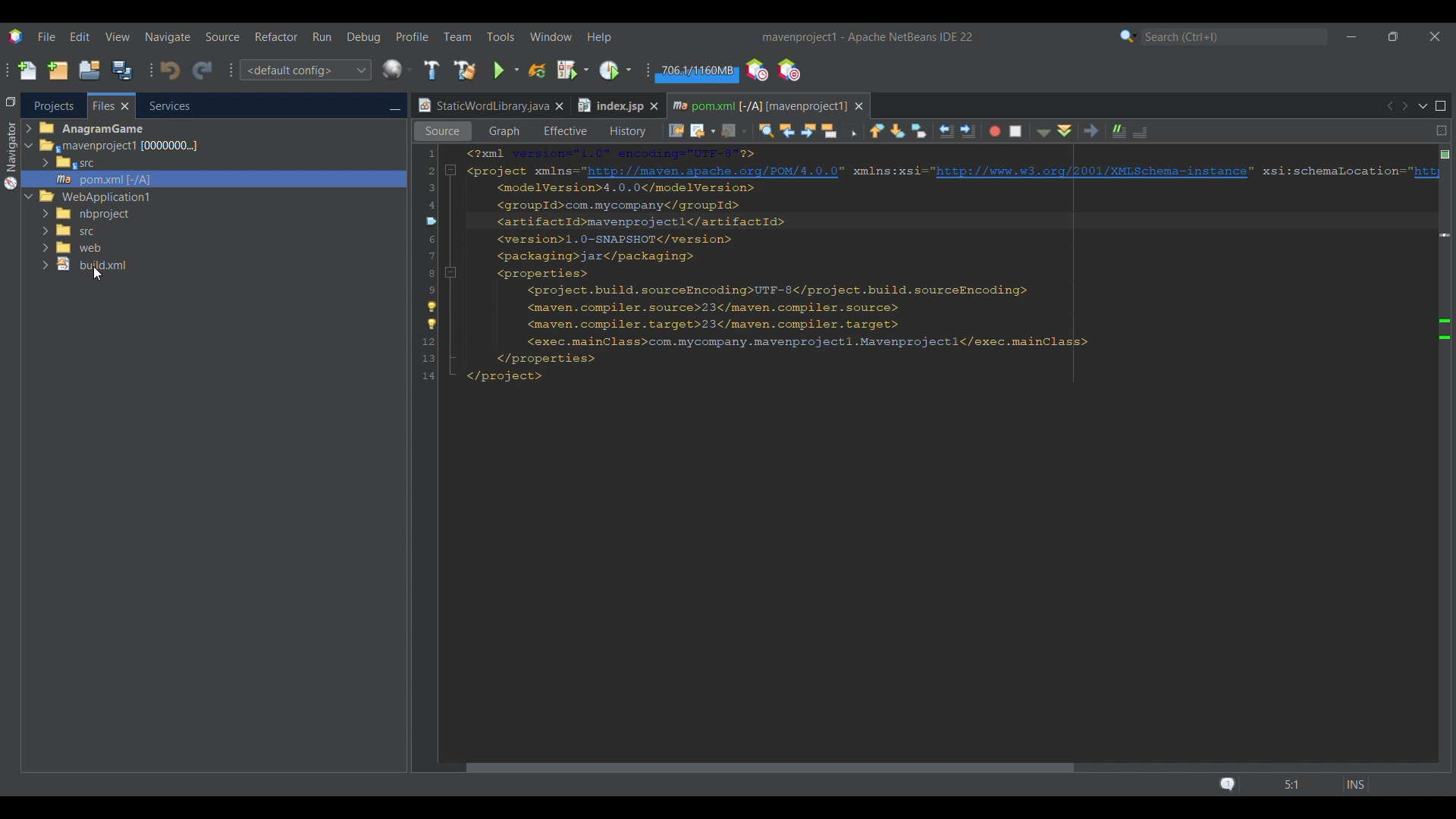  Describe the element at coordinates (573, 70) in the screenshot. I see `Debug main project` at that location.